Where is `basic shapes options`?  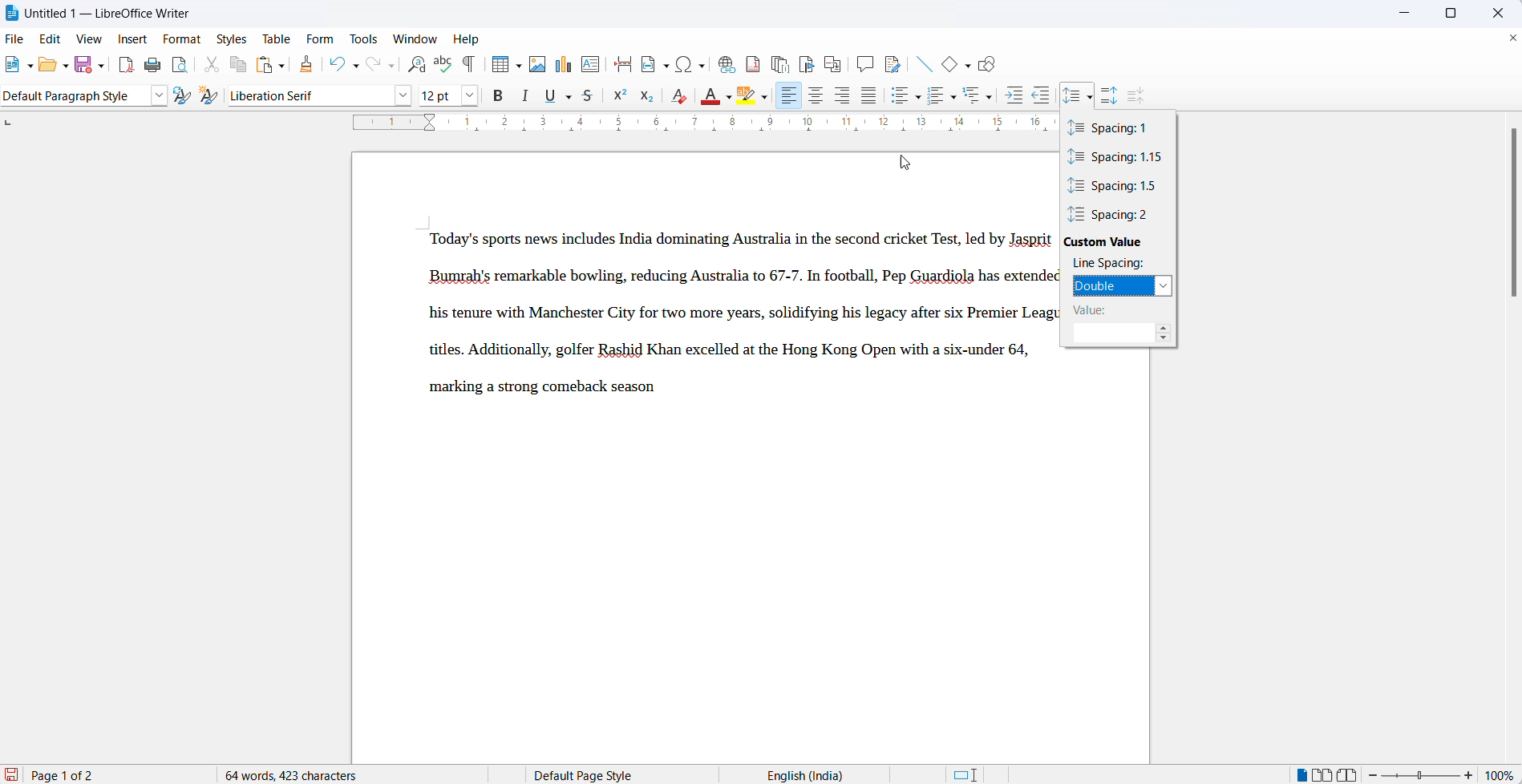 basic shapes options is located at coordinates (965, 66).